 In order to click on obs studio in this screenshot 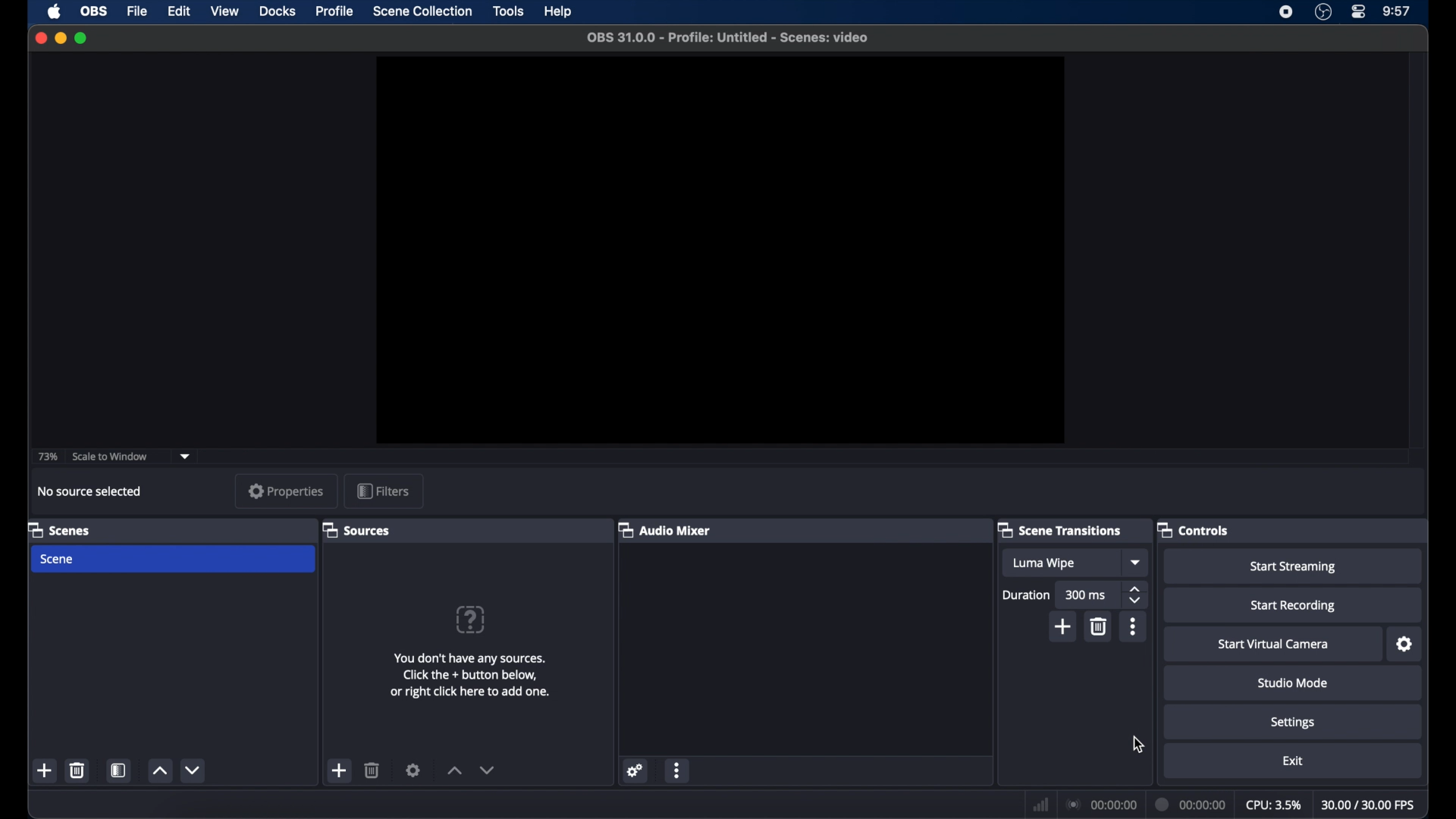, I will do `click(1323, 12)`.